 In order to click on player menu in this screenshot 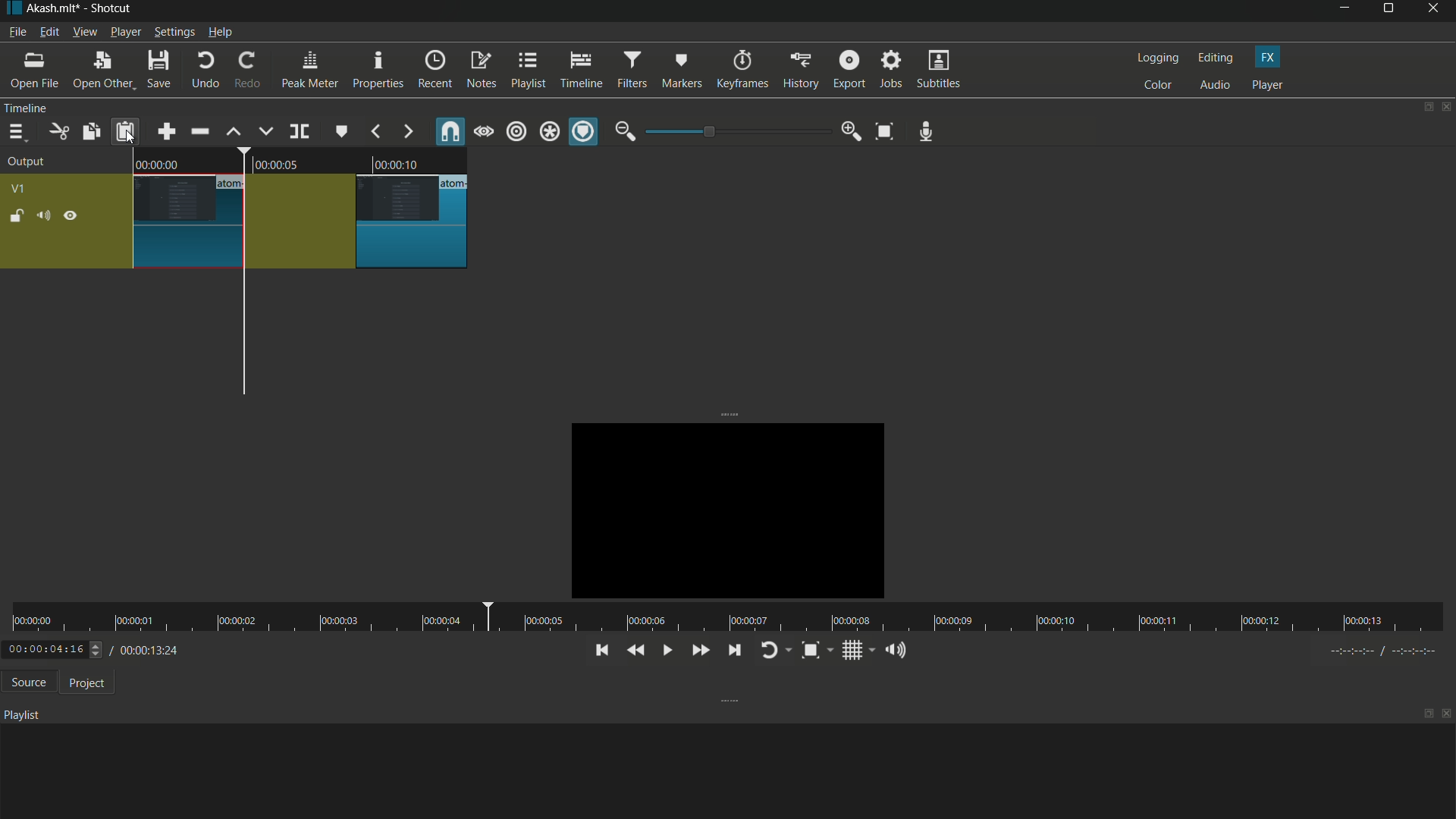, I will do `click(126, 31)`.